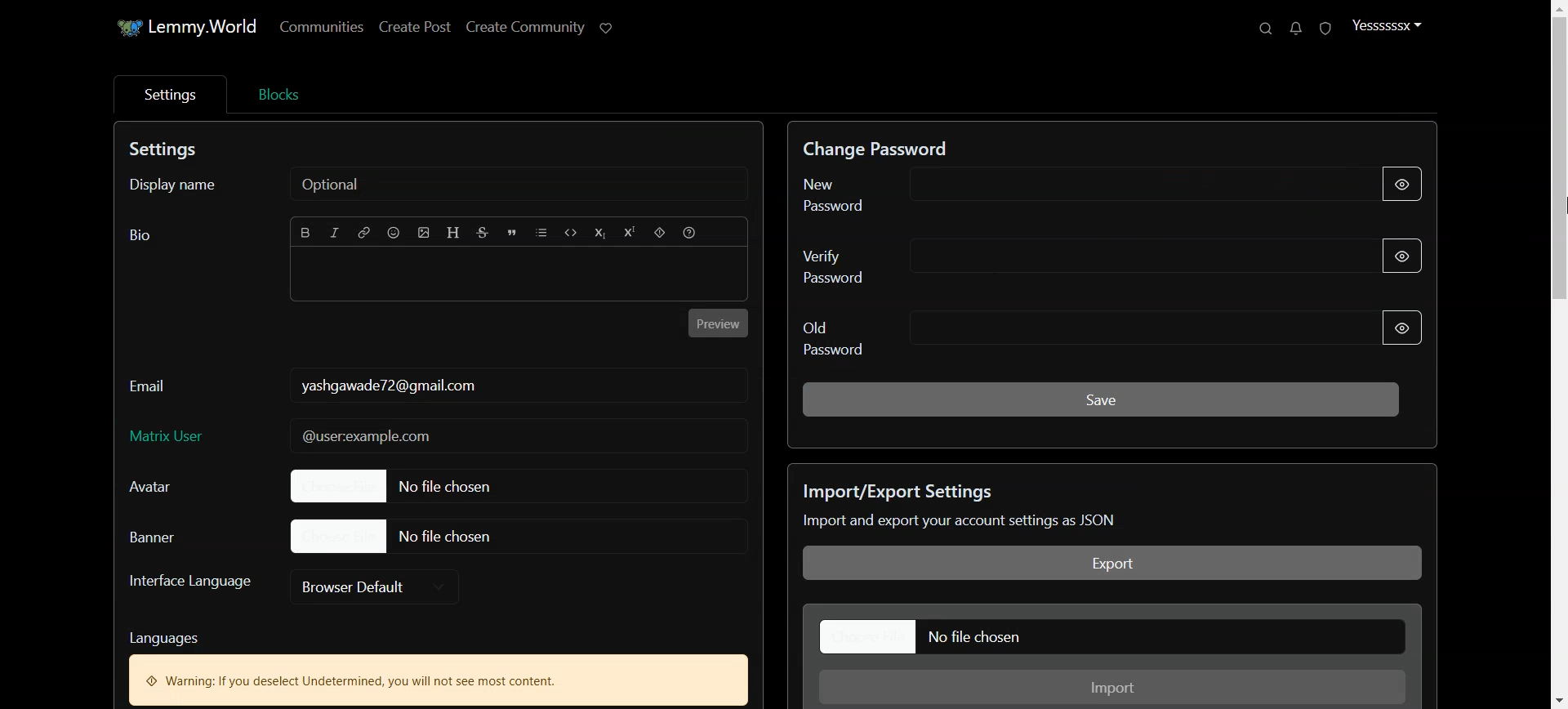 The width and height of the screenshot is (1568, 709). Describe the element at coordinates (1554, 355) in the screenshot. I see `Scroll bar` at that location.